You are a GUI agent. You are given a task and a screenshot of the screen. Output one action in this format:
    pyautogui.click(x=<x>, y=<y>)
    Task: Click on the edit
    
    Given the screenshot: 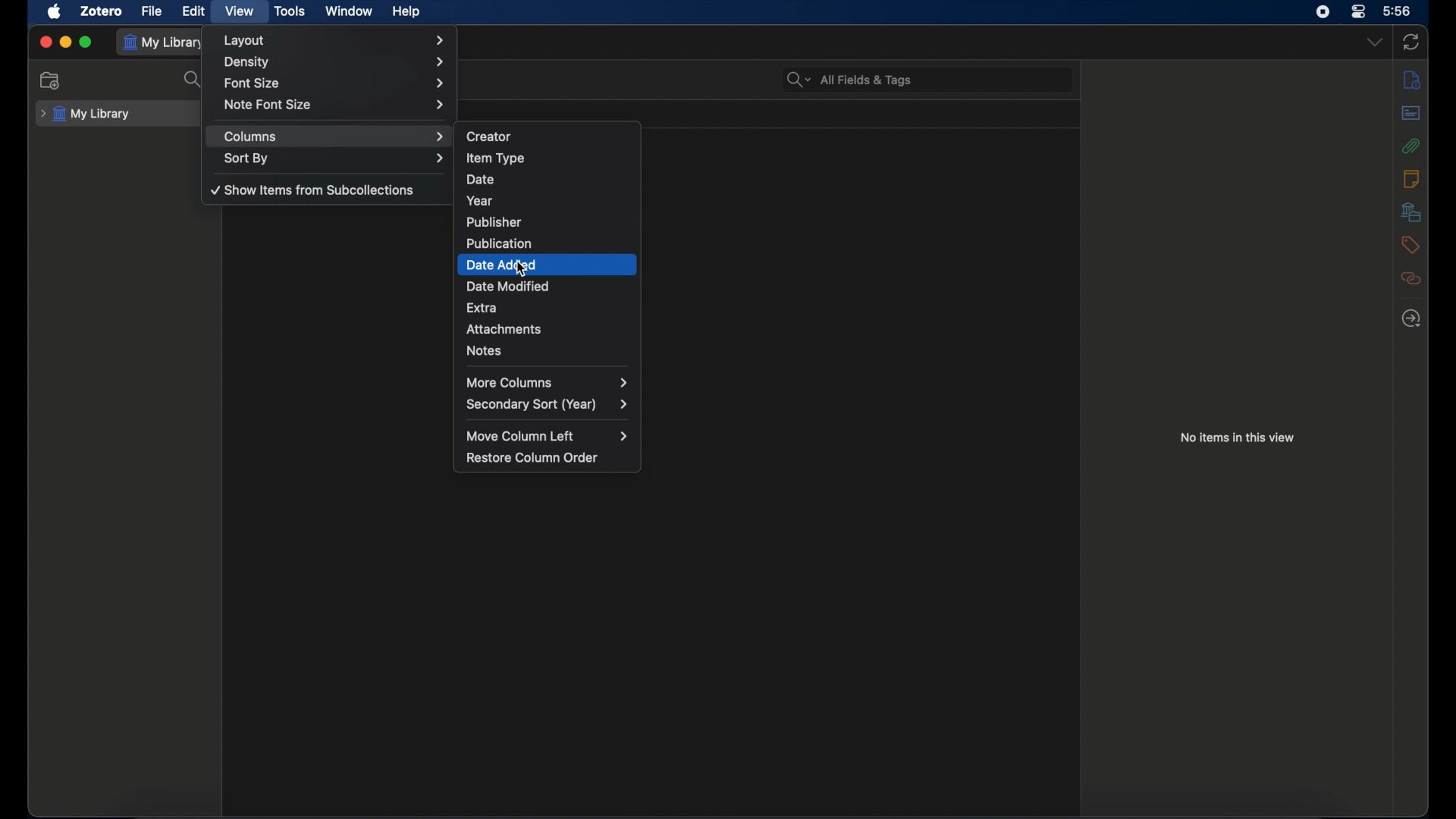 What is the action you would take?
    pyautogui.click(x=196, y=11)
    